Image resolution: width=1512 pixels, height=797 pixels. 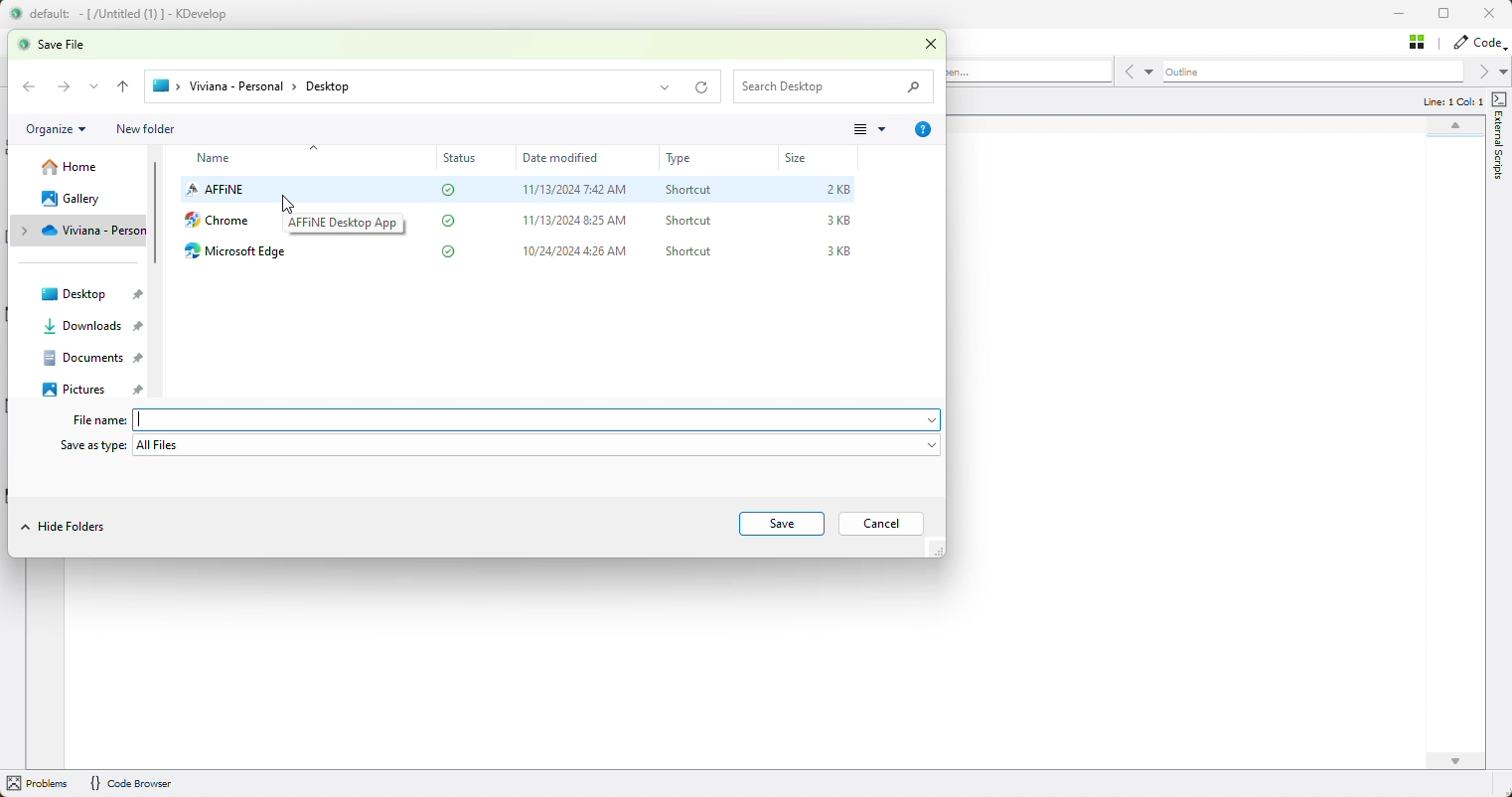 I want to click on documents, so click(x=89, y=358).